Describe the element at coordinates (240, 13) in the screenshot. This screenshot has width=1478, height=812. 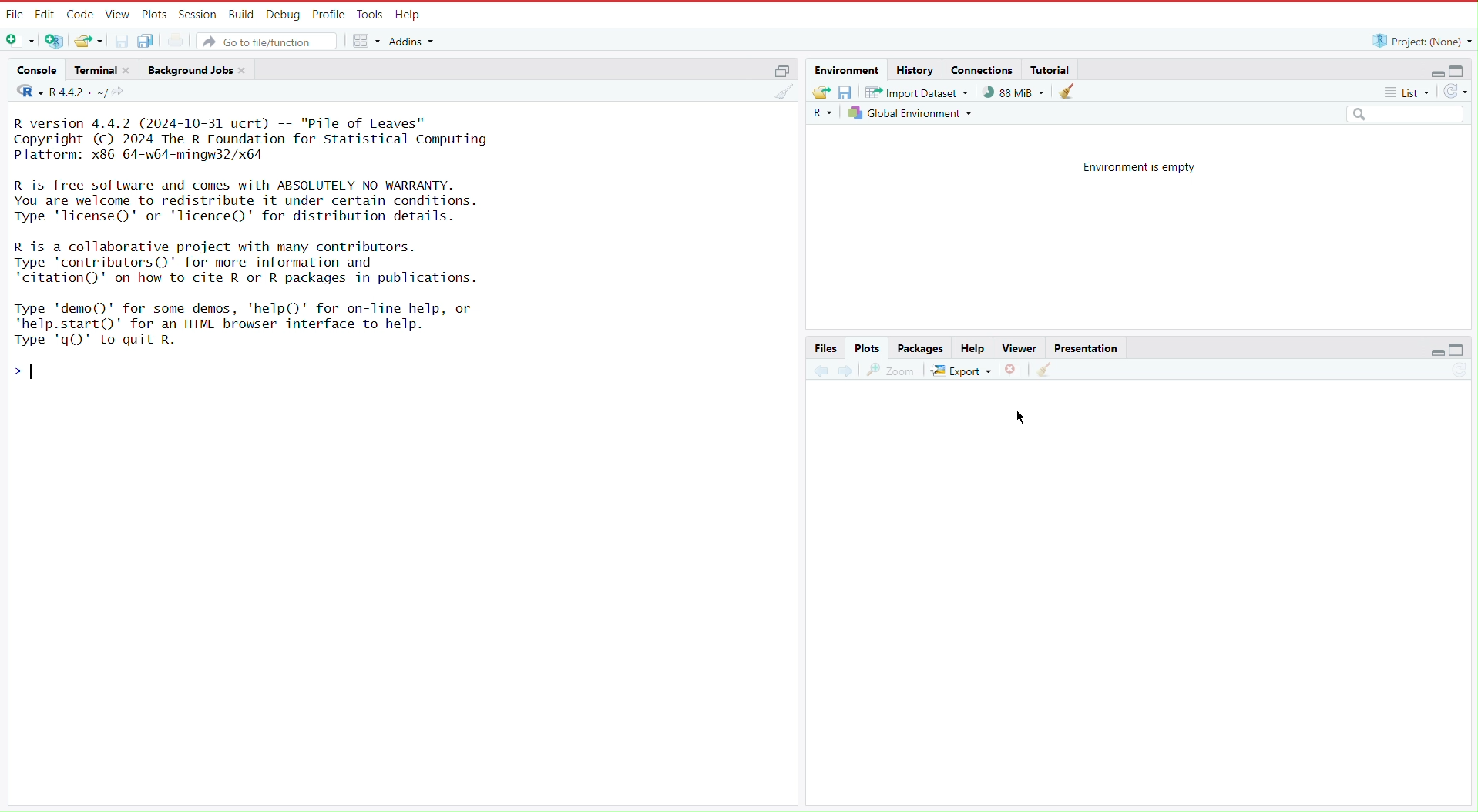
I see `Build` at that location.